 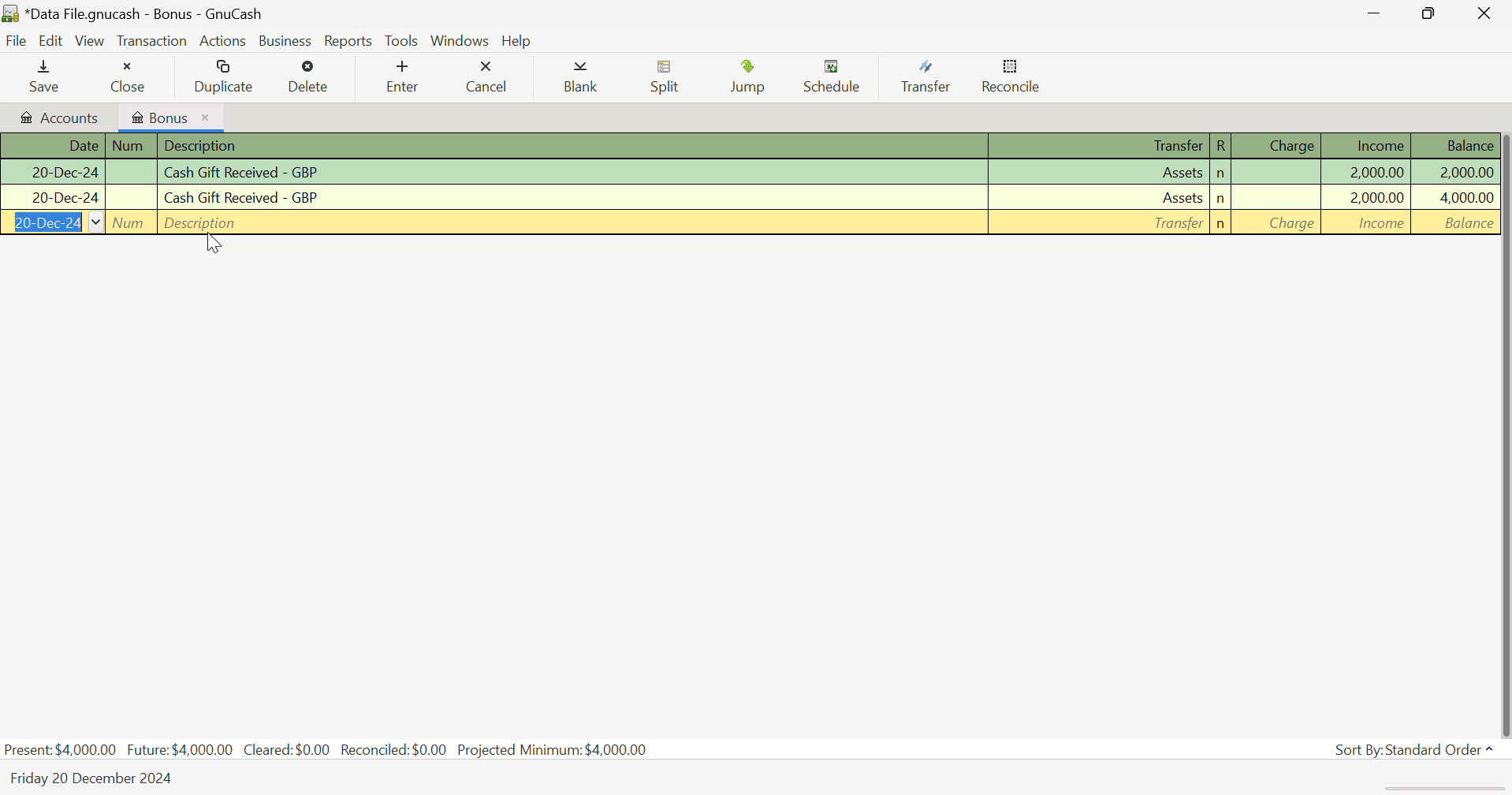 What do you see at coordinates (181, 748) in the screenshot?
I see `Future` at bounding box center [181, 748].